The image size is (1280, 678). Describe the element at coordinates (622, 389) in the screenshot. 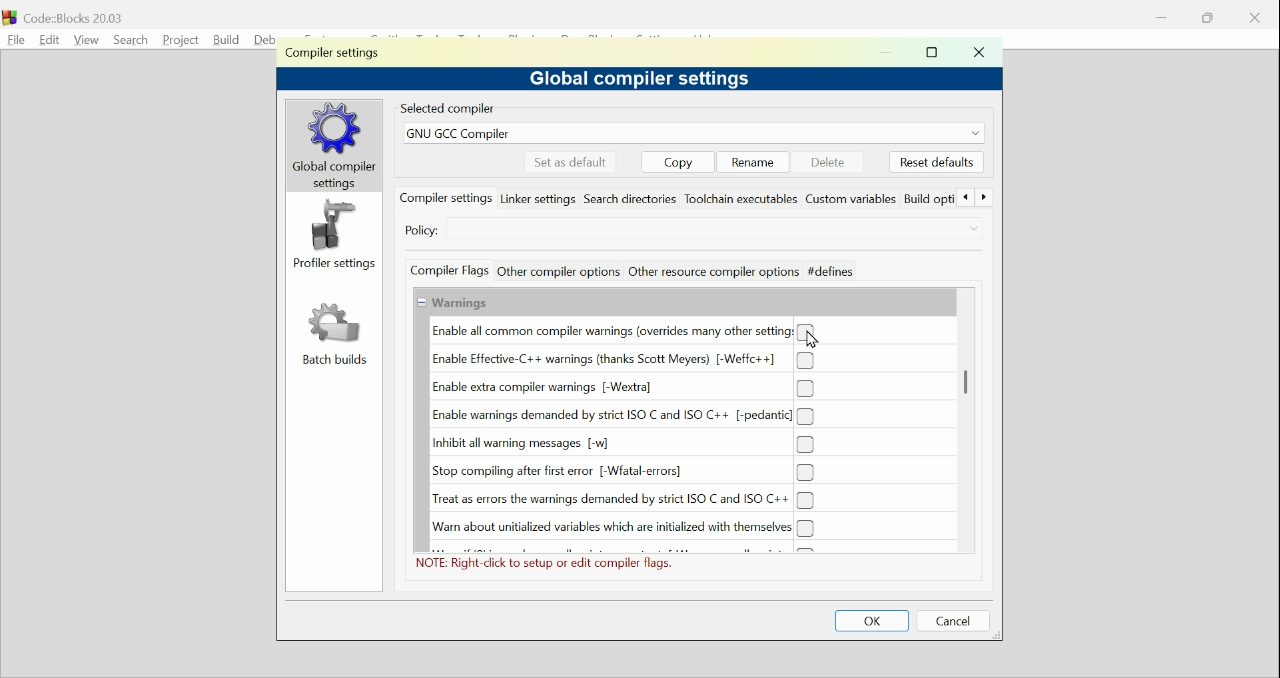

I see `(un)check Enable extra compiler warnings` at that location.